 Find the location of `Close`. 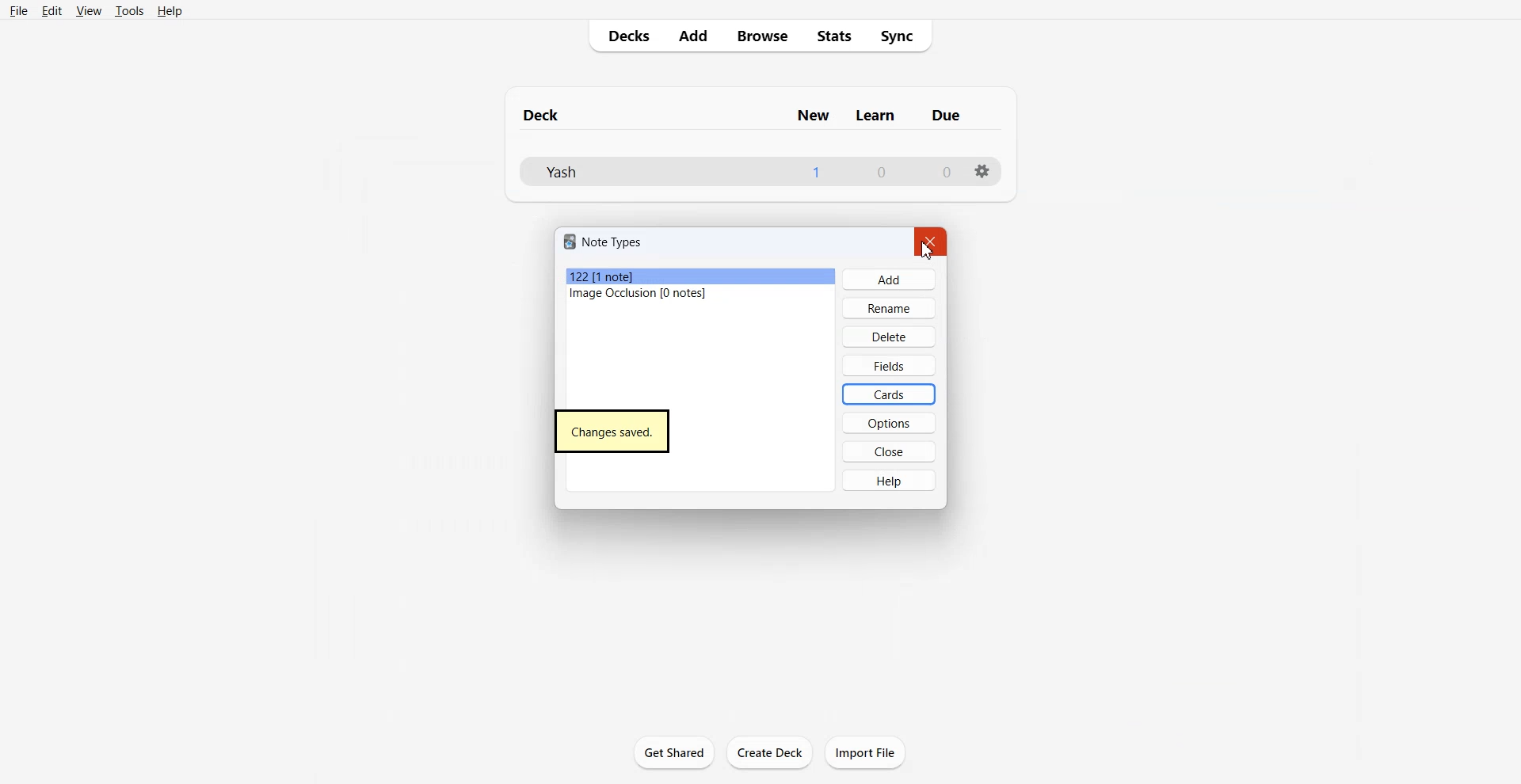

Close is located at coordinates (890, 451).